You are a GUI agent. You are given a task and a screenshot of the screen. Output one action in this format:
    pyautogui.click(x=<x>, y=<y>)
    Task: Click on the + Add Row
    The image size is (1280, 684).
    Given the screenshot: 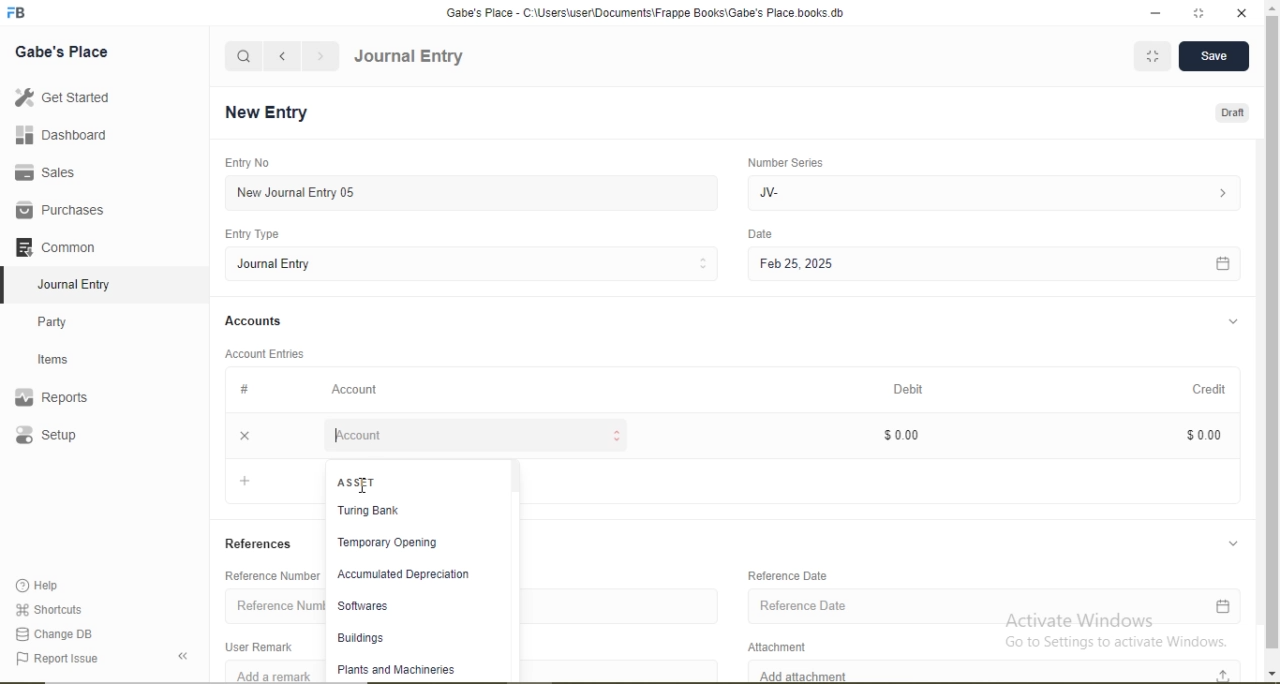 What is the action you would take?
    pyautogui.click(x=270, y=484)
    